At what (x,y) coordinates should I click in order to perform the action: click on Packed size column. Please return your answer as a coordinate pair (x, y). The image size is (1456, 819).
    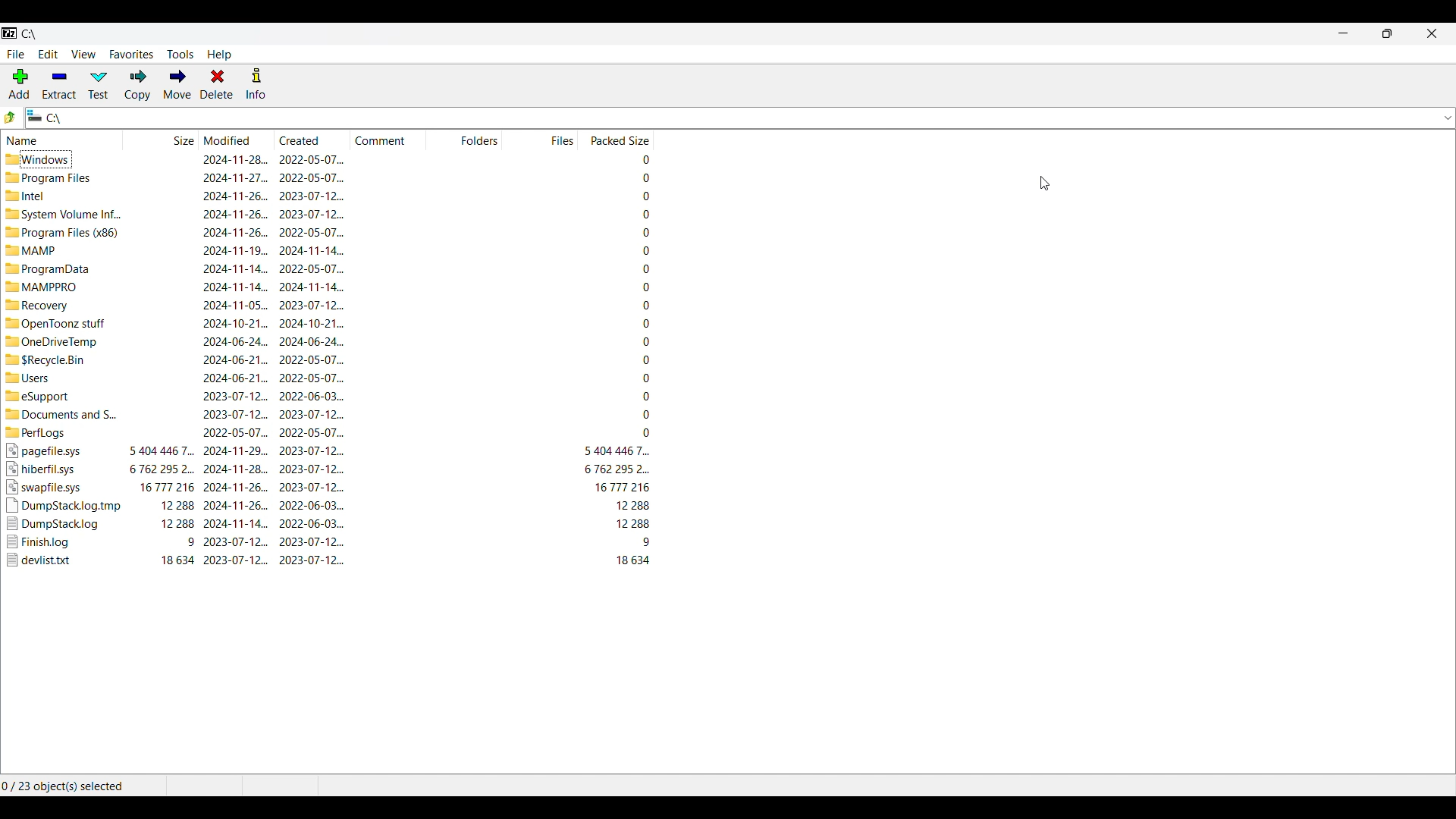
    Looking at the image, I should click on (616, 139).